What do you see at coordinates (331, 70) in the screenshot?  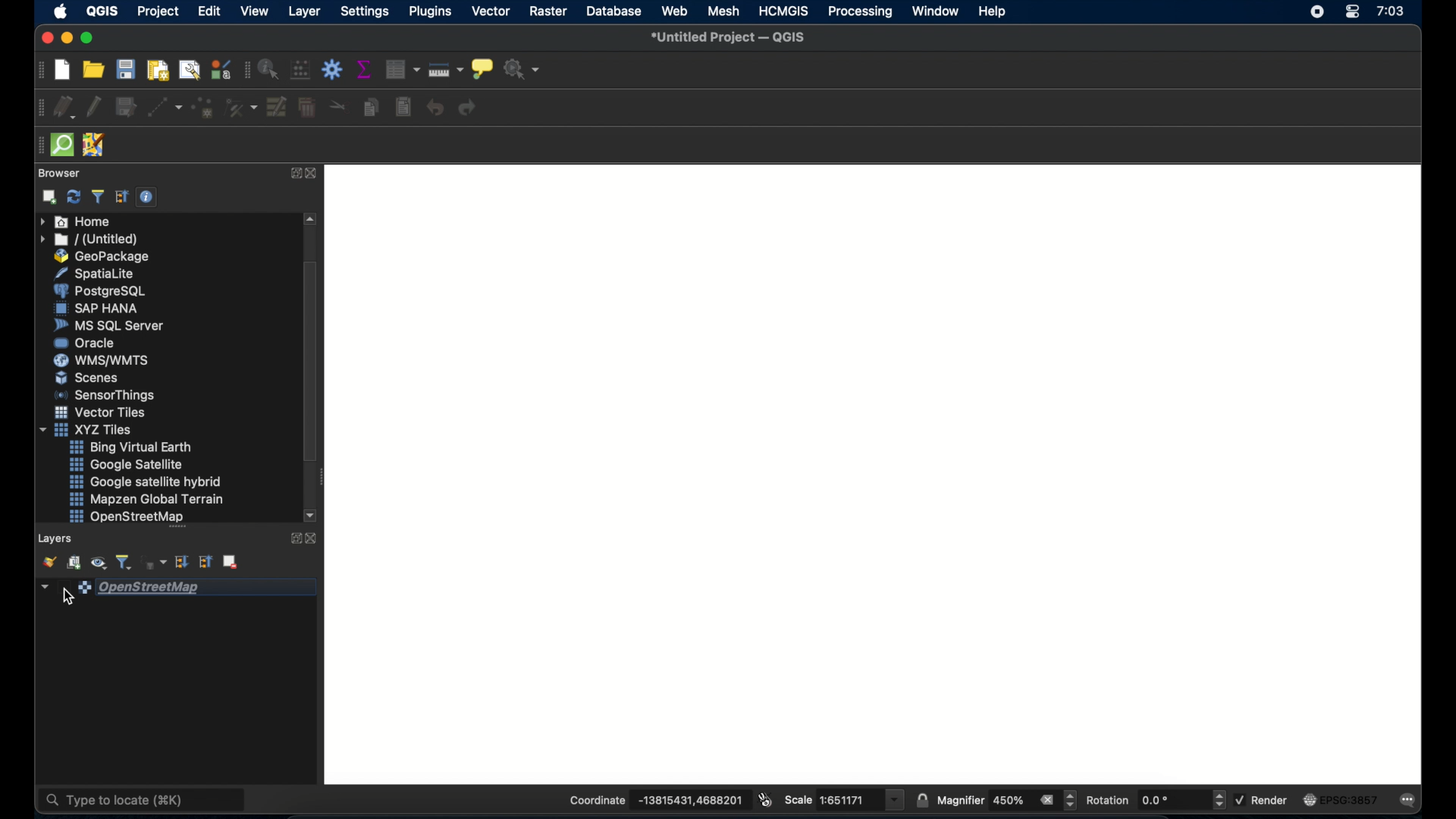 I see `toolbox` at bounding box center [331, 70].